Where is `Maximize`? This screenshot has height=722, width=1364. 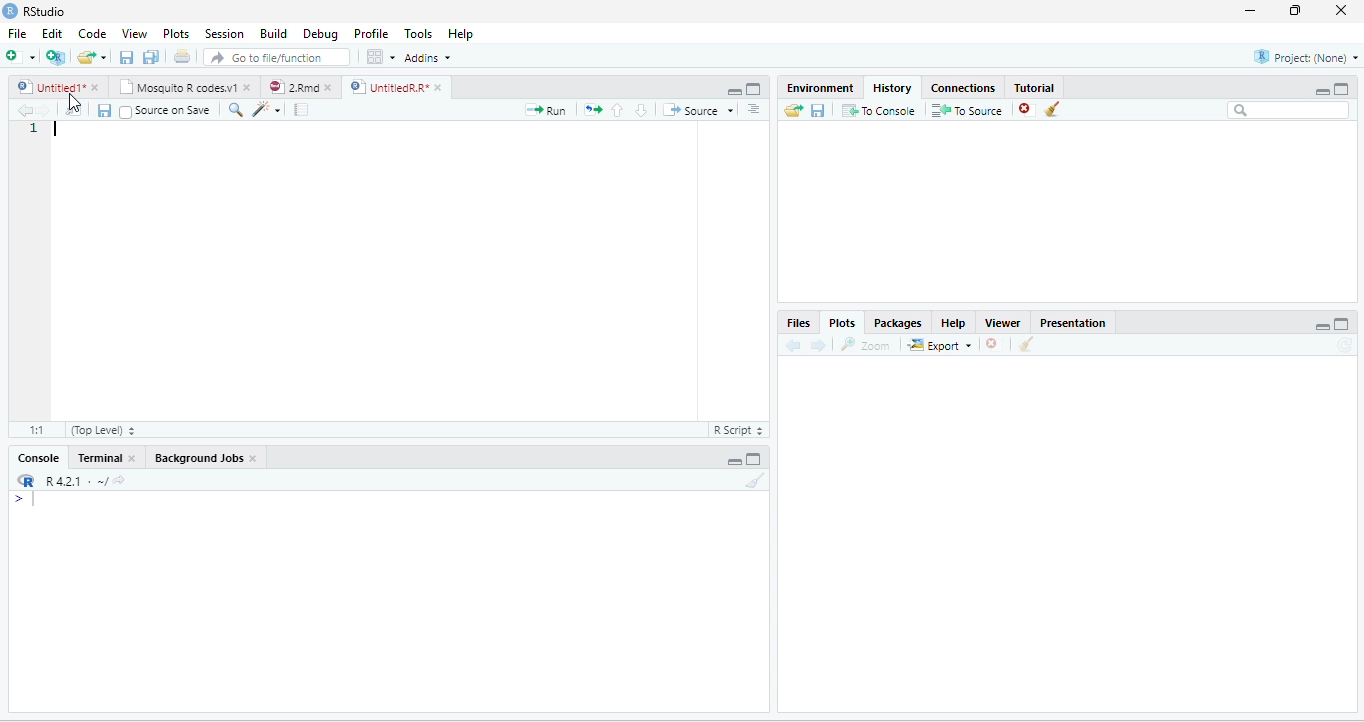 Maximize is located at coordinates (755, 89).